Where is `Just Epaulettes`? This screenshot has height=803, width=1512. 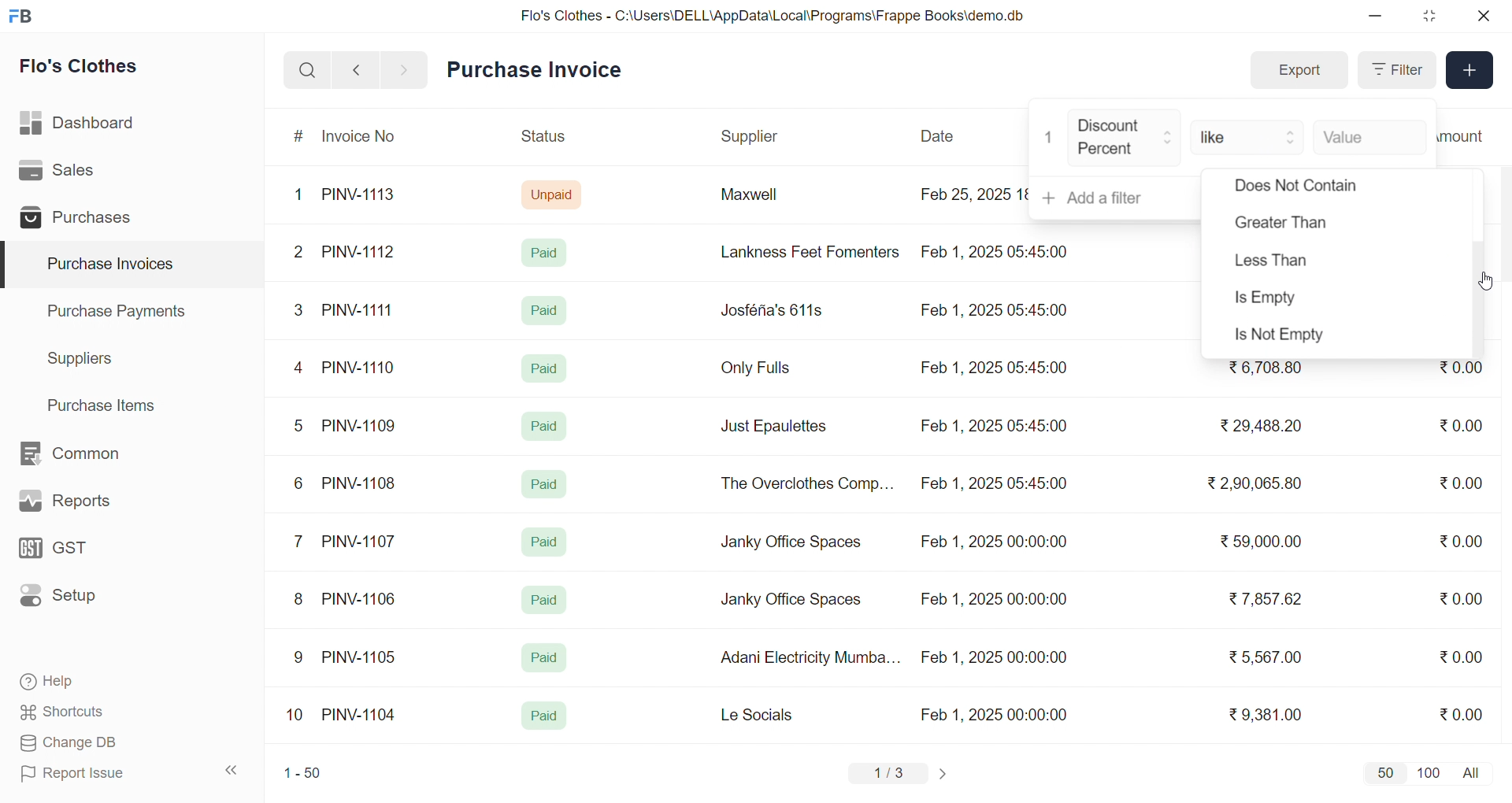
Just Epaulettes is located at coordinates (780, 427).